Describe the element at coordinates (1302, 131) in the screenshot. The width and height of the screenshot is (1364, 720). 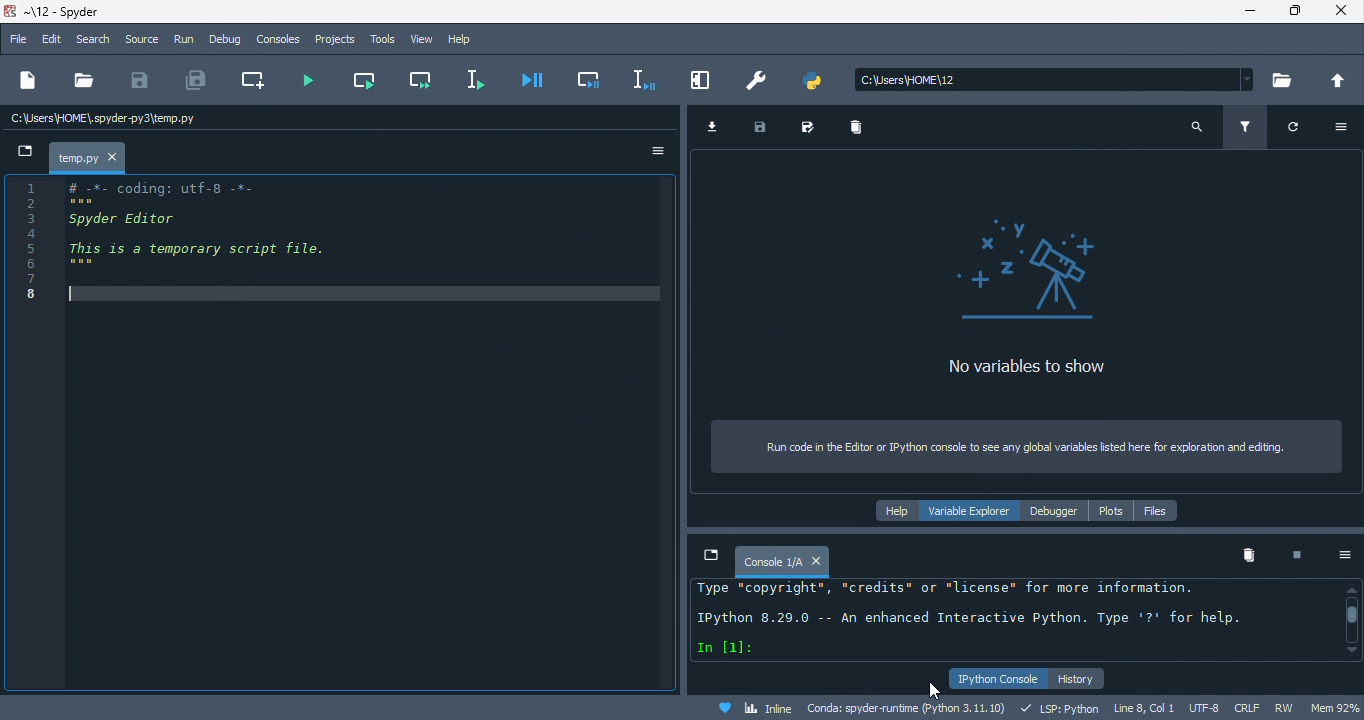
I see `refresh` at that location.